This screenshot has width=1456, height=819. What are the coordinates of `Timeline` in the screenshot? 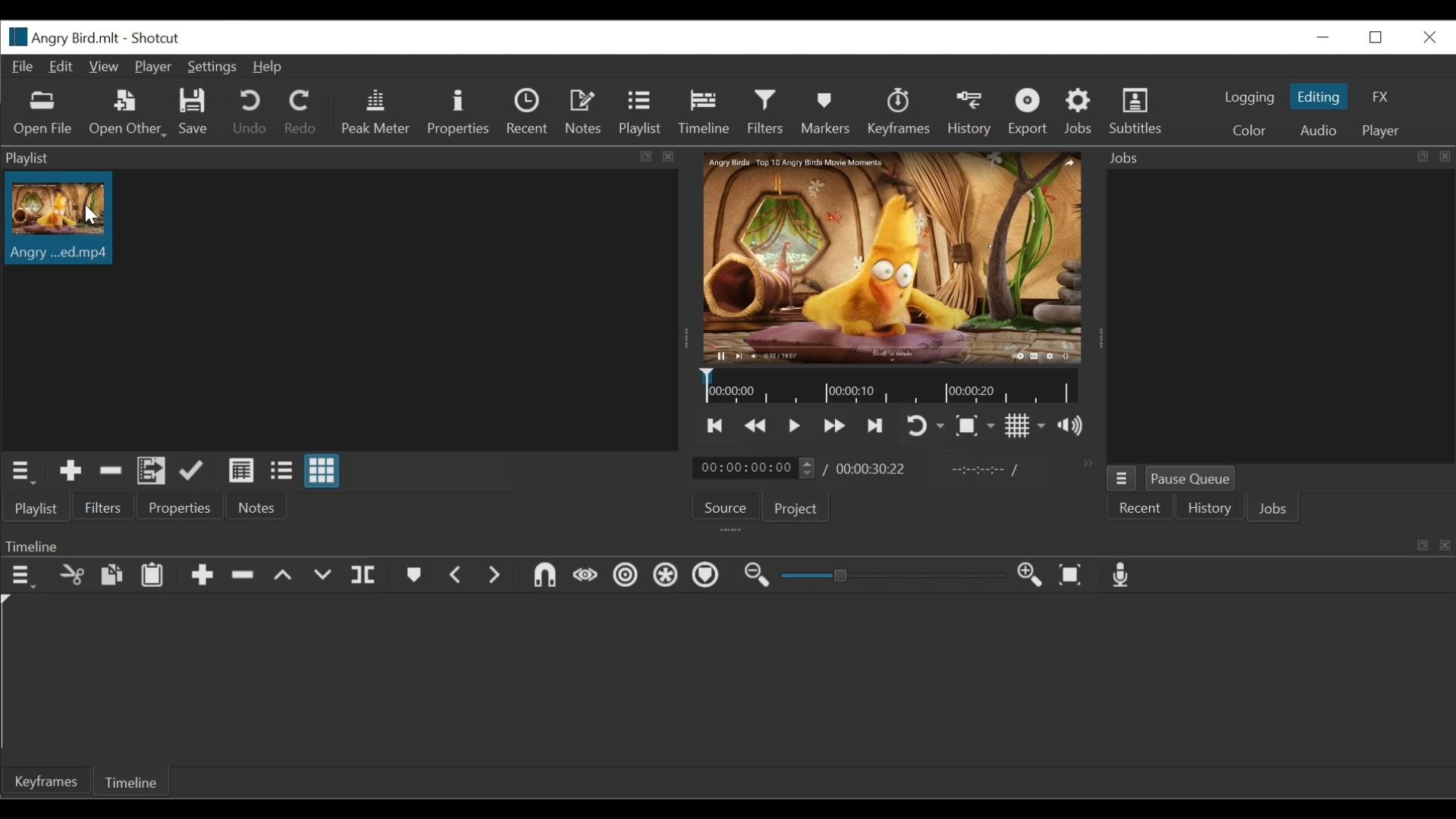 It's located at (890, 387).